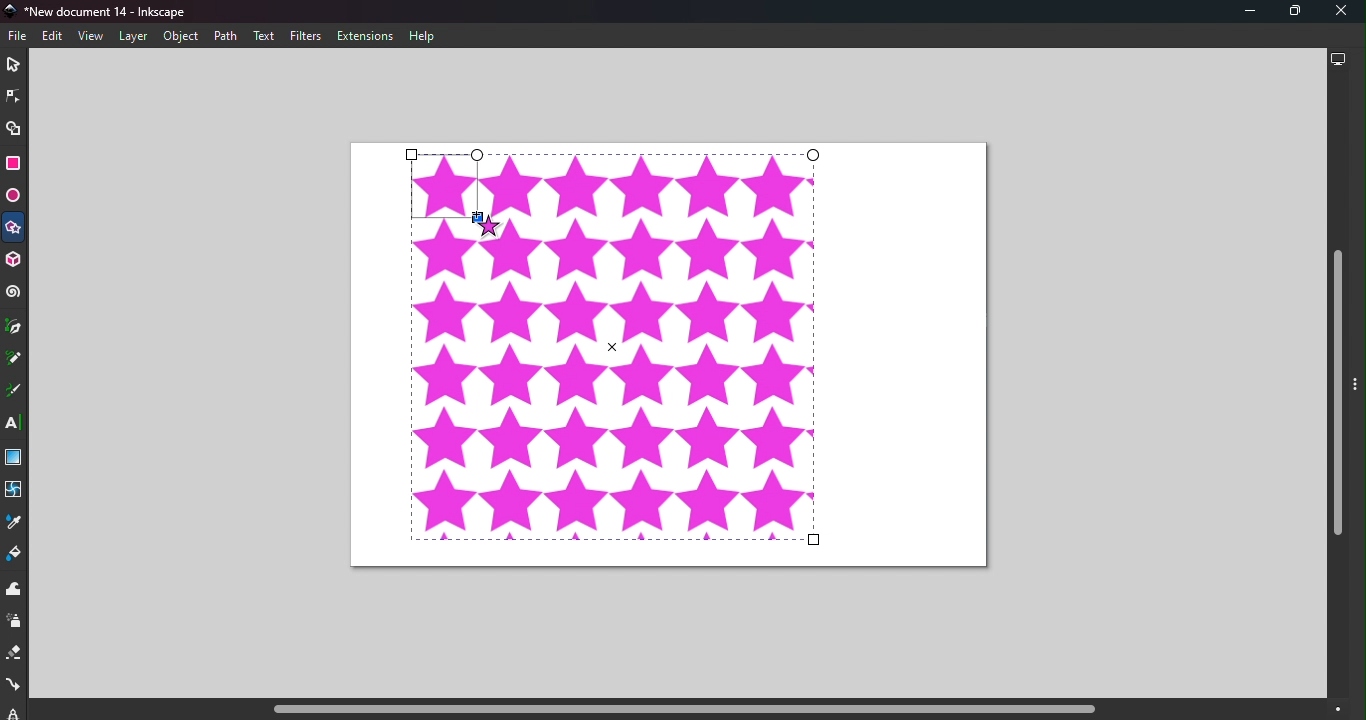  I want to click on Connector tool, so click(13, 687).